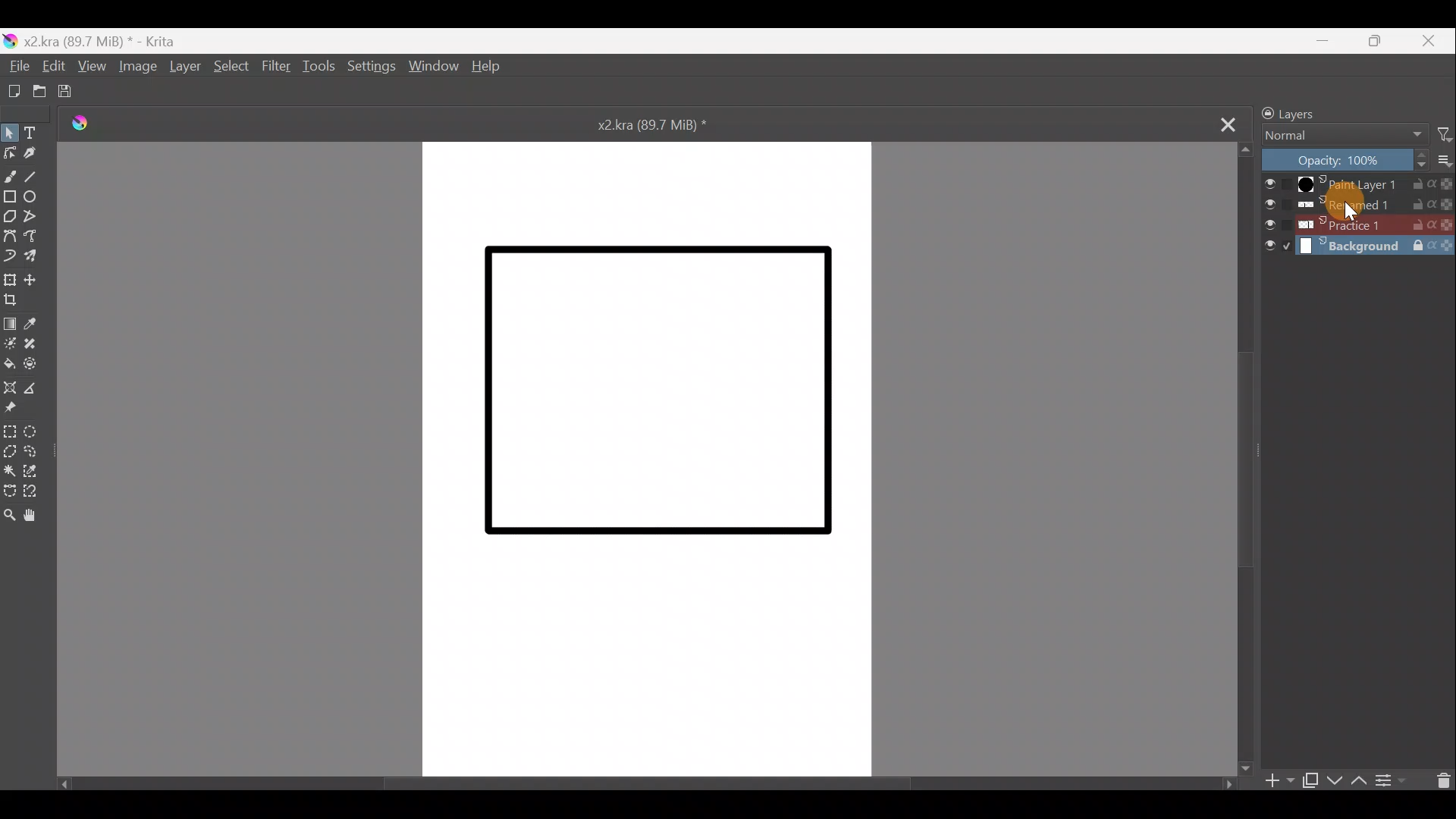 This screenshot has height=819, width=1456. What do you see at coordinates (35, 344) in the screenshot?
I see `Smart patch tool` at bounding box center [35, 344].